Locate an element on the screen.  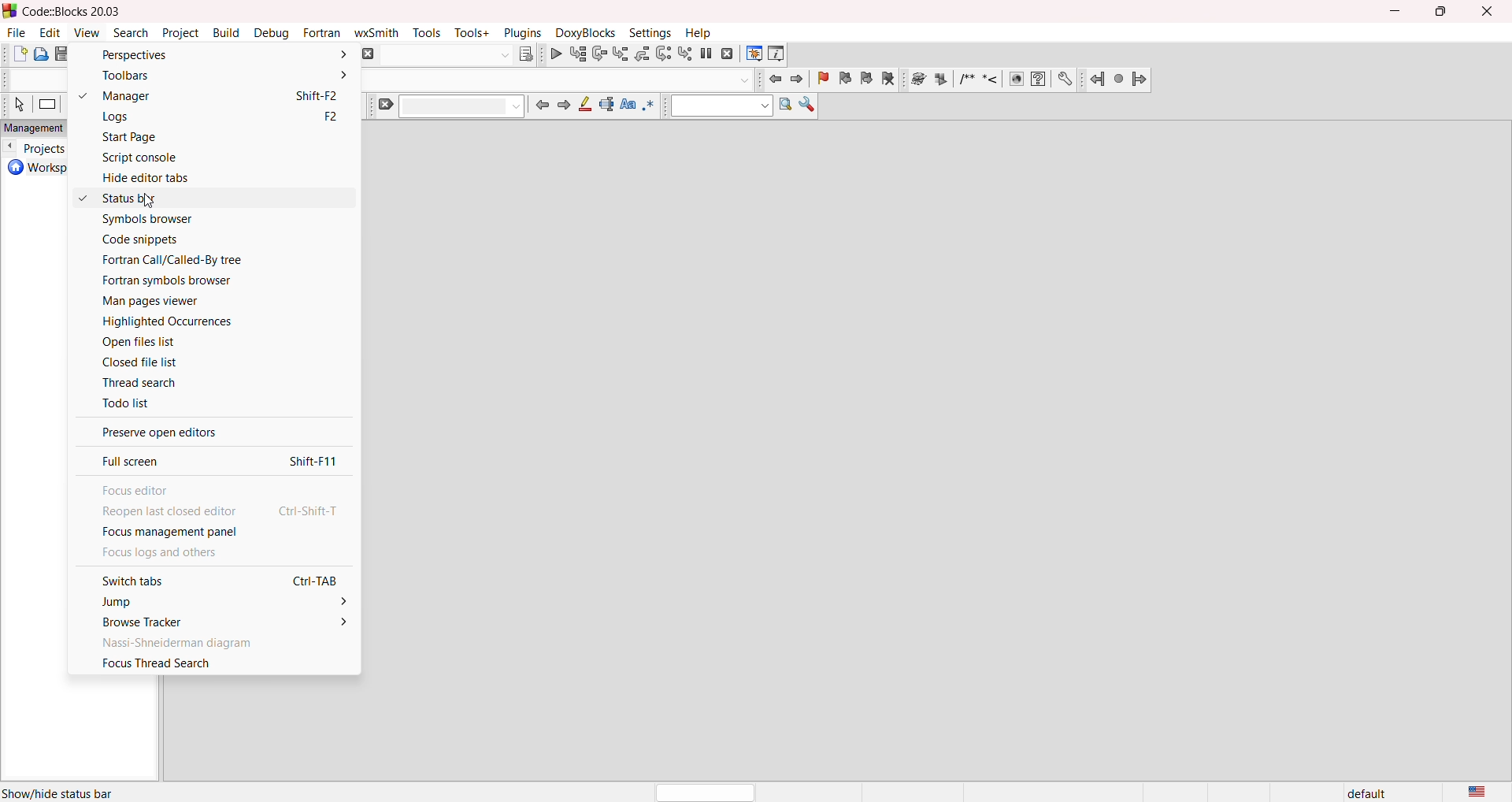
use regex is located at coordinates (651, 110).